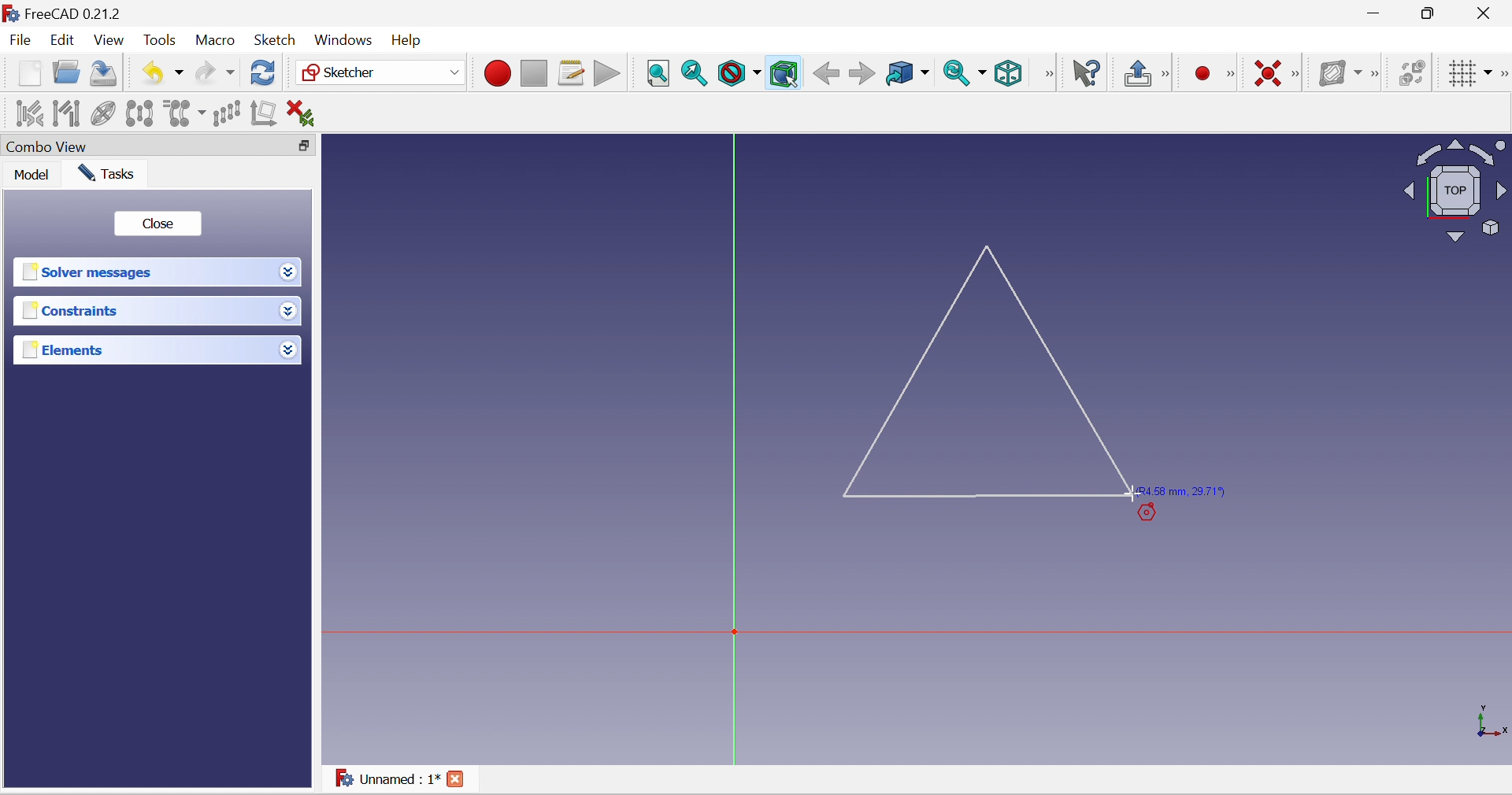 The width and height of the screenshot is (1512, 795). Describe the element at coordinates (381, 72) in the screenshot. I see `Sketcher` at that location.